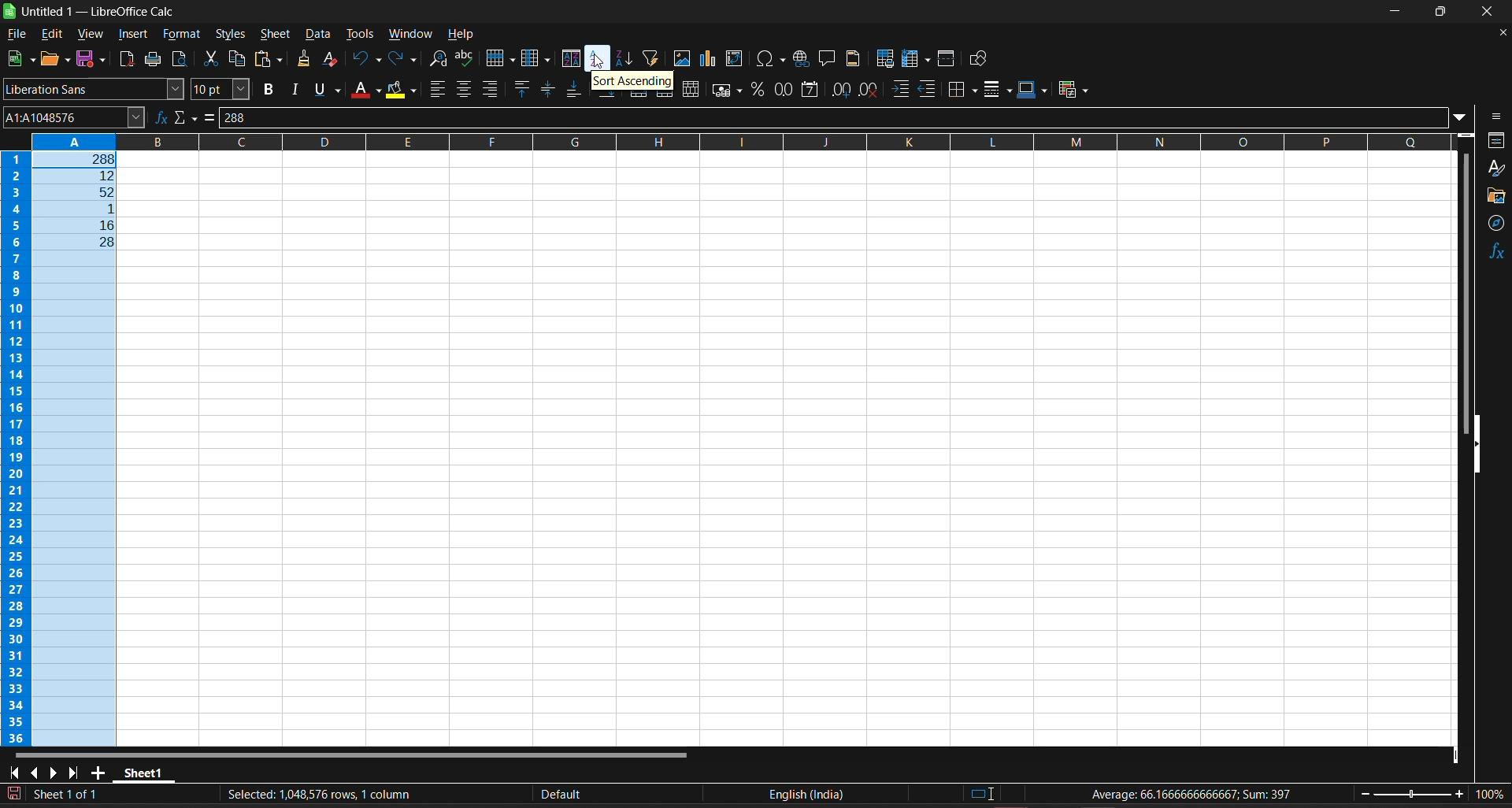 The image size is (1512, 808). What do you see at coordinates (52, 59) in the screenshot?
I see `open` at bounding box center [52, 59].